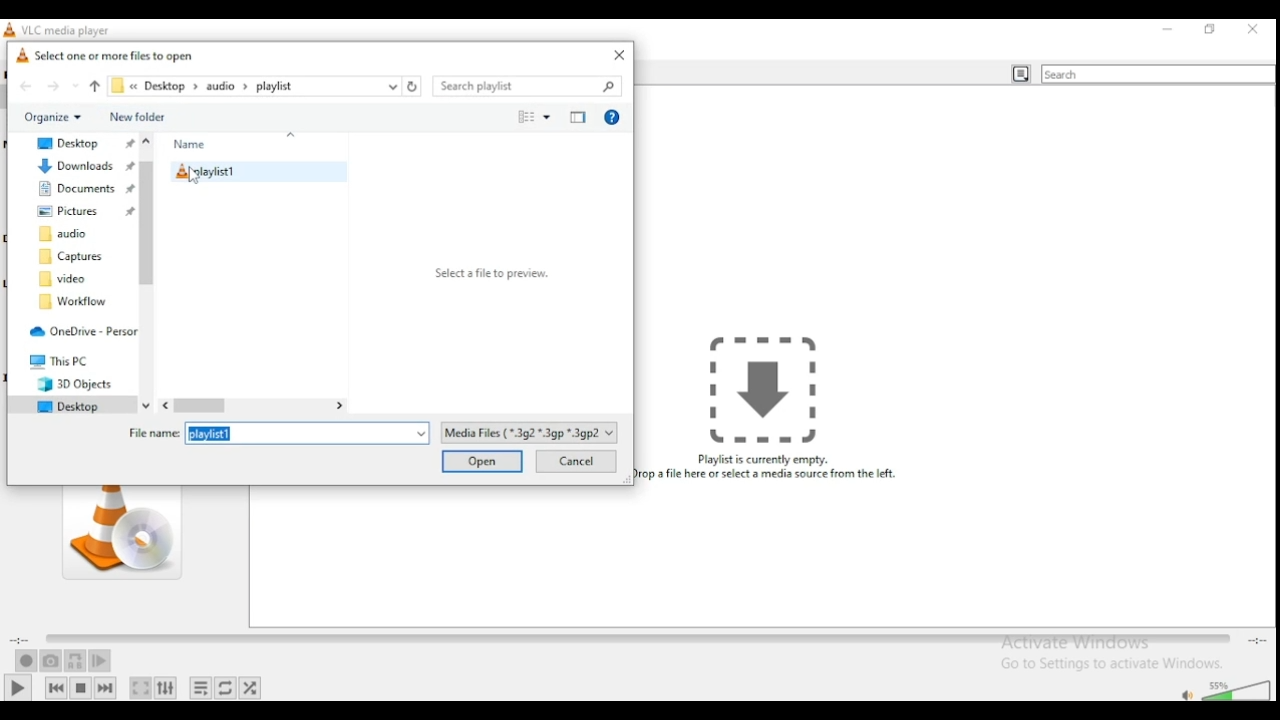 This screenshot has height=720, width=1280. What do you see at coordinates (1186, 694) in the screenshot?
I see `mute/unmute` at bounding box center [1186, 694].